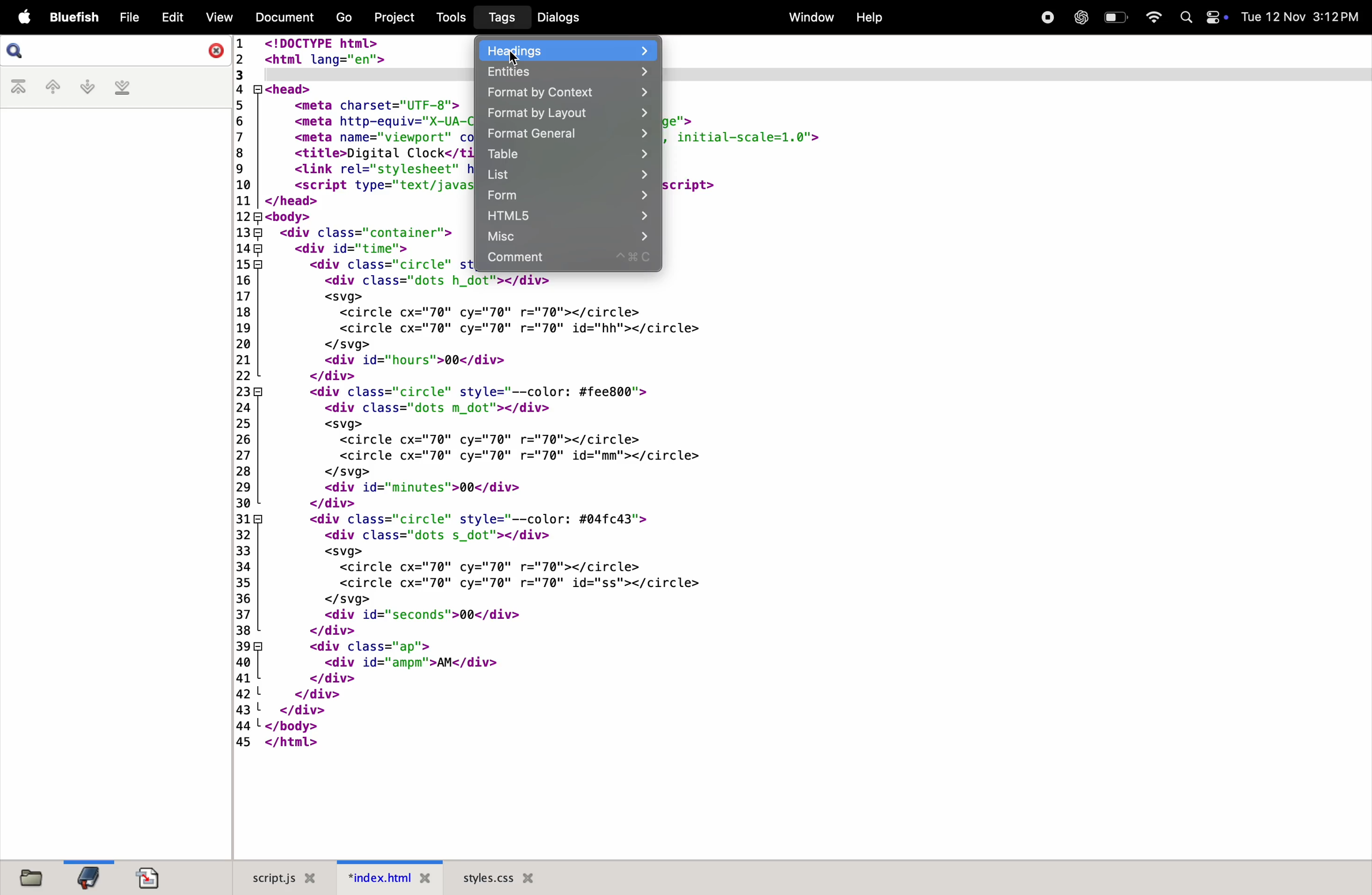 The height and width of the screenshot is (895, 1372). I want to click on format by layout, so click(566, 115).